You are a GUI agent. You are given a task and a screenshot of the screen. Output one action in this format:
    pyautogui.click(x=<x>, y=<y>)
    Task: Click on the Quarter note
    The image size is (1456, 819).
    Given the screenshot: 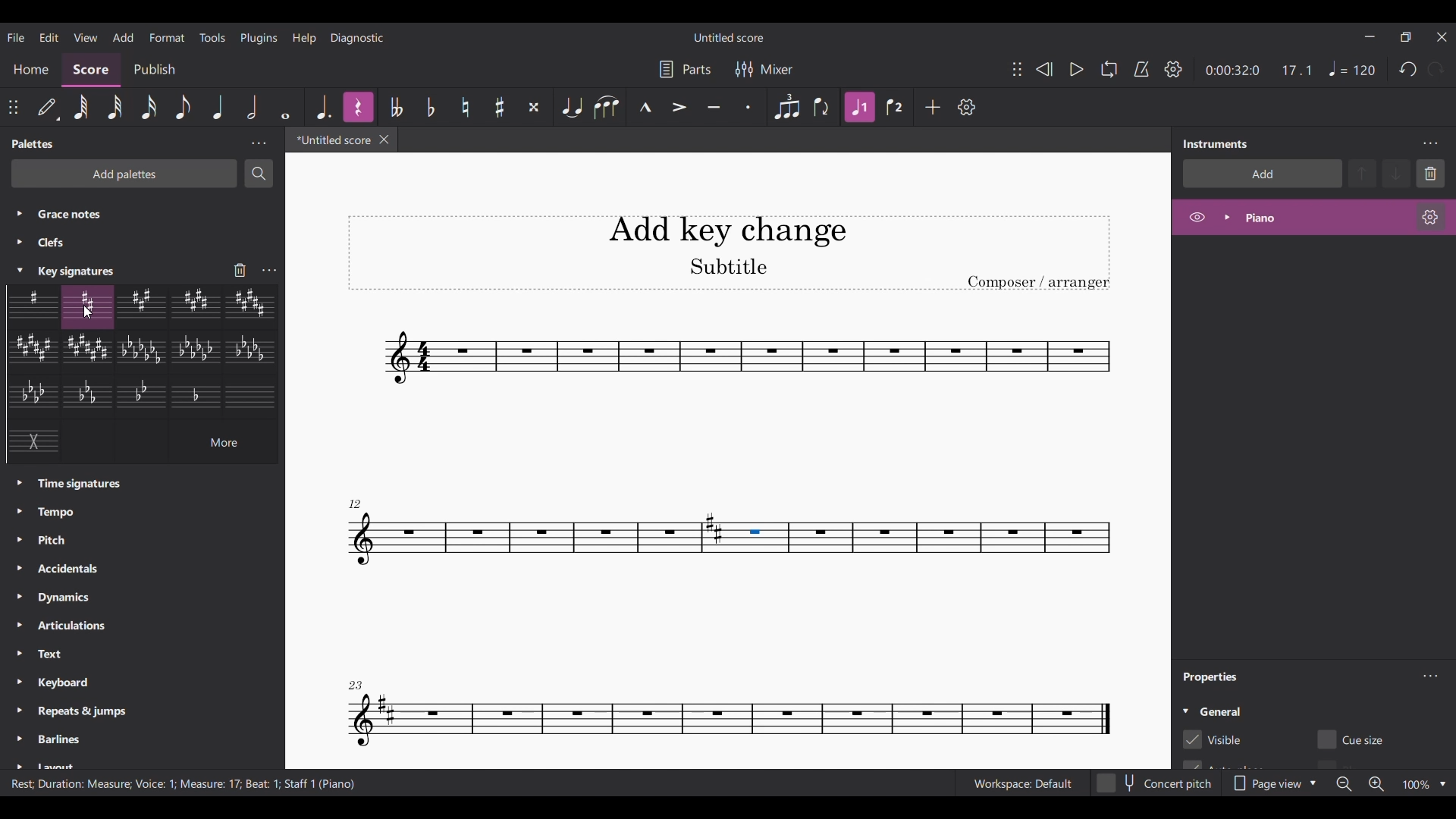 What is the action you would take?
    pyautogui.click(x=219, y=106)
    